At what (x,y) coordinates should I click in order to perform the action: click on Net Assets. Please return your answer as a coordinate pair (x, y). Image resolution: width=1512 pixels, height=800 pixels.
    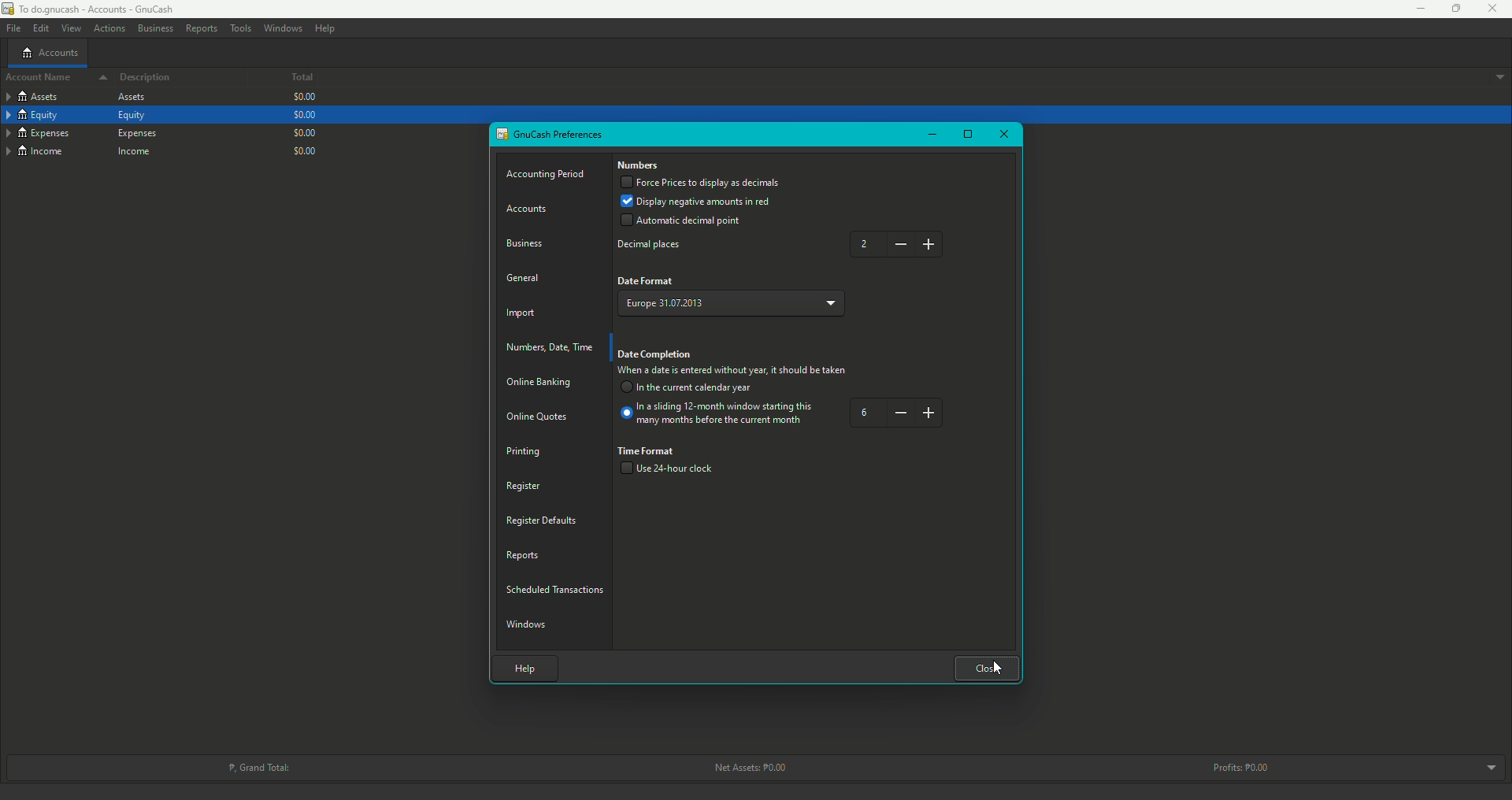
    Looking at the image, I should click on (747, 768).